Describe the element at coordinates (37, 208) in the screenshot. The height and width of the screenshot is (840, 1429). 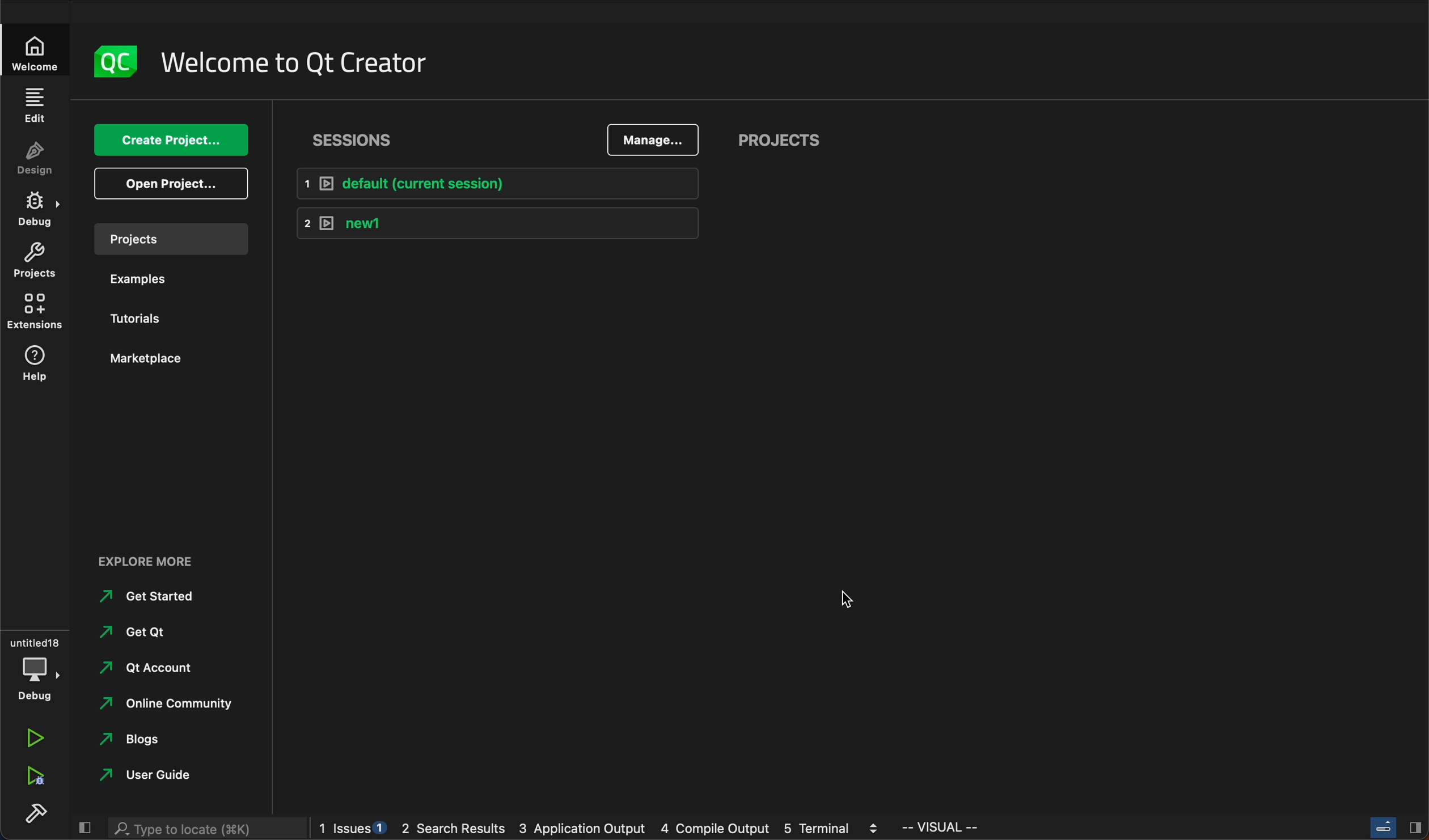
I see `debug` at that location.